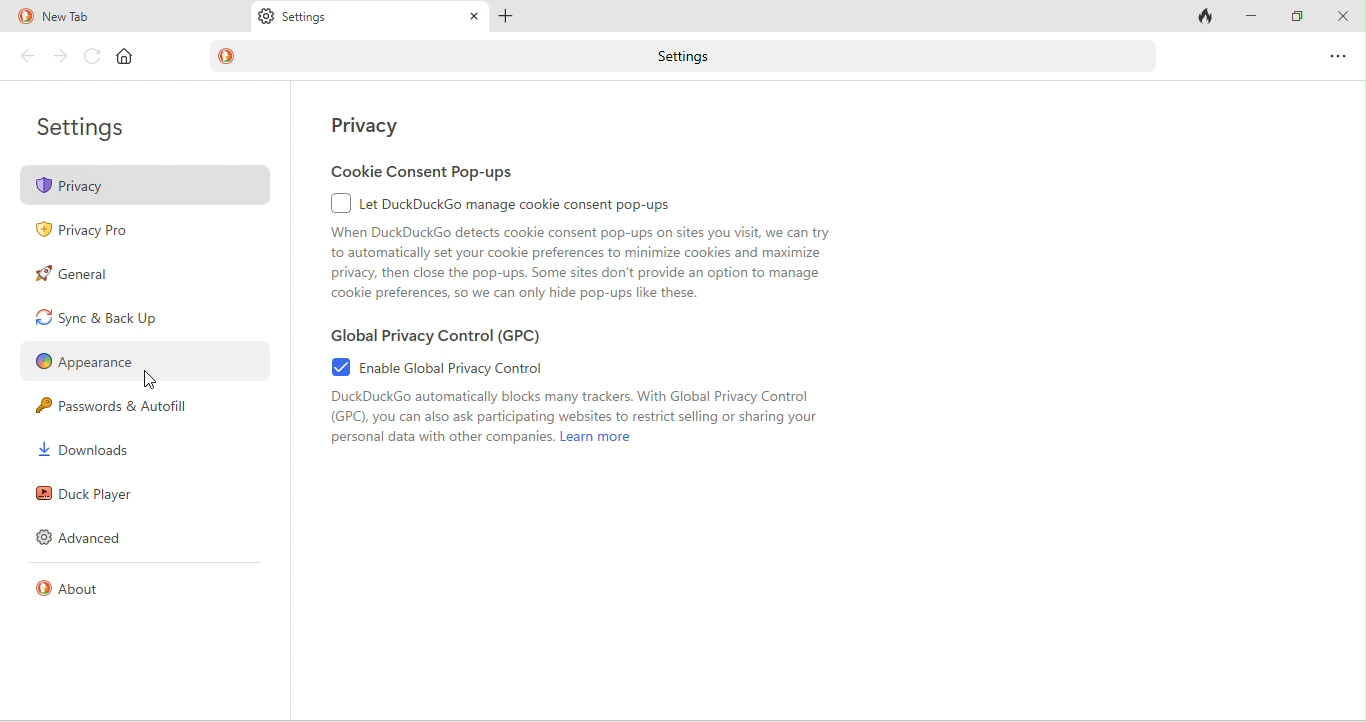 This screenshot has width=1366, height=722. What do you see at coordinates (91, 131) in the screenshot?
I see `settings` at bounding box center [91, 131].